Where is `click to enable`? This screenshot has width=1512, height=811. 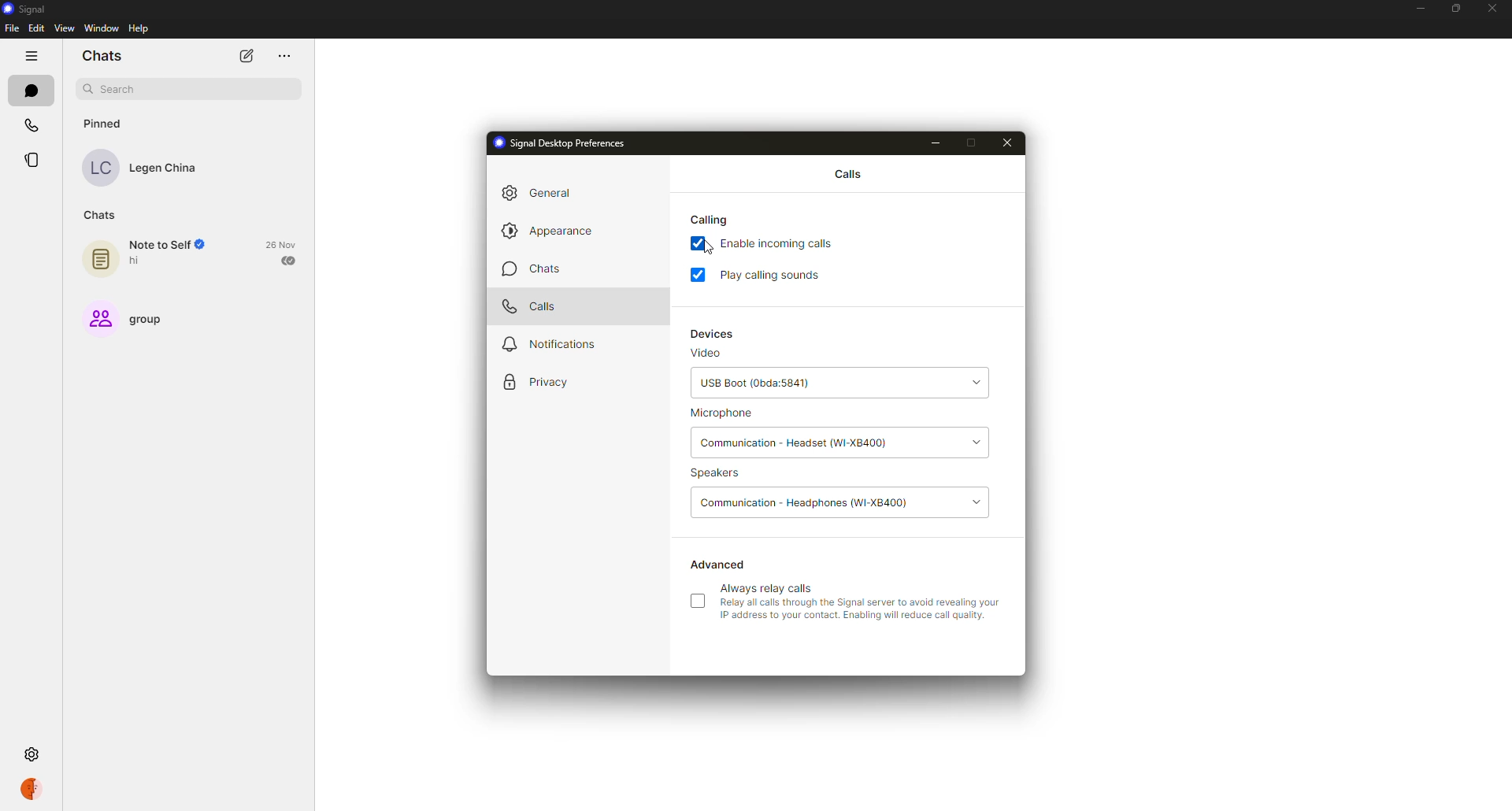 click to enable is located at coordinates (696, 602).